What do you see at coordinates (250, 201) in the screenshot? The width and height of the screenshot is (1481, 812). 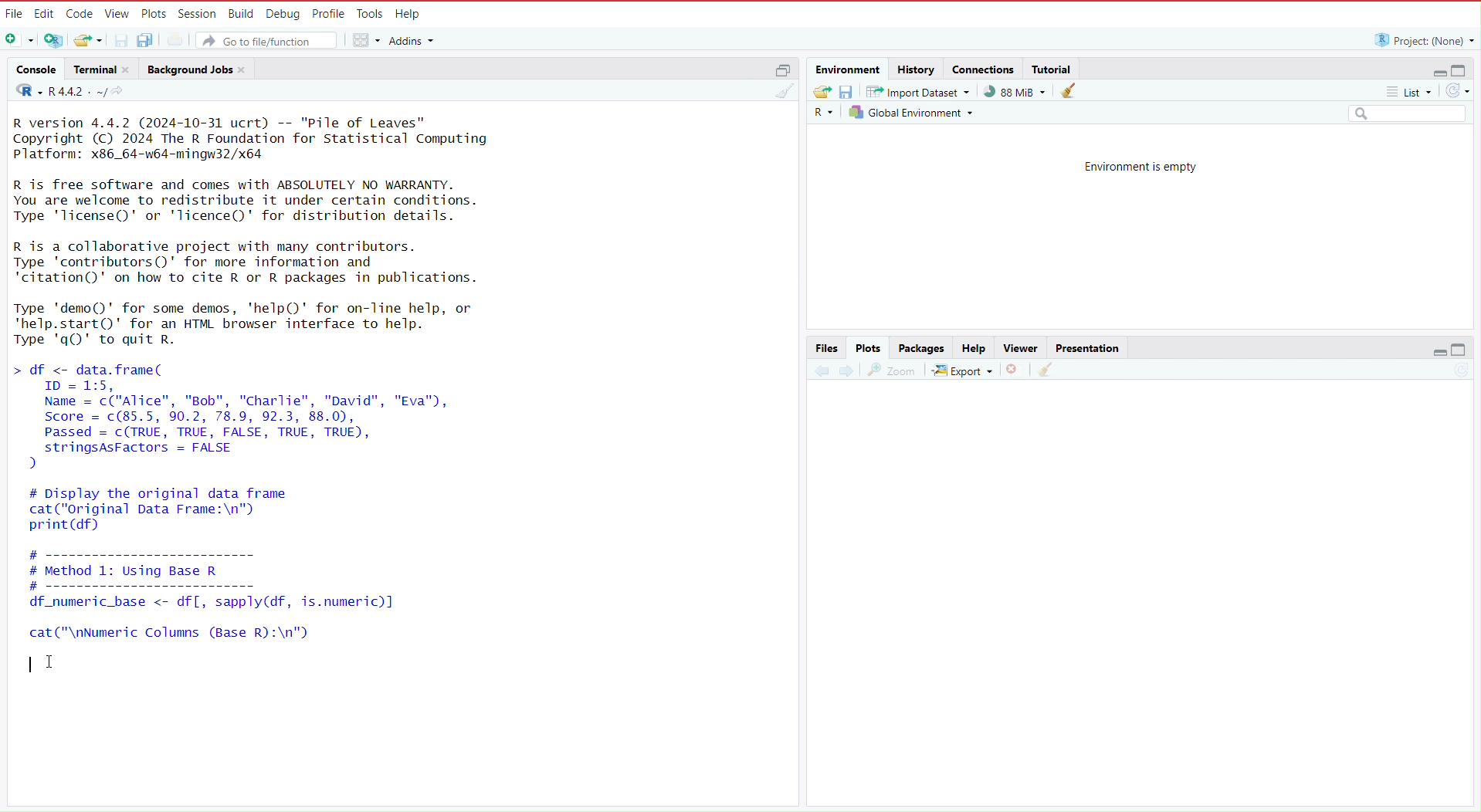 I see `R is free software and comes with ABSOLUTELY NO WARRANTY.
You are welcome to redistribute it under certain conditions.
Type 'licenseQ' or 'lTicence()' for distribution details.` at bounding box center [250, 201].